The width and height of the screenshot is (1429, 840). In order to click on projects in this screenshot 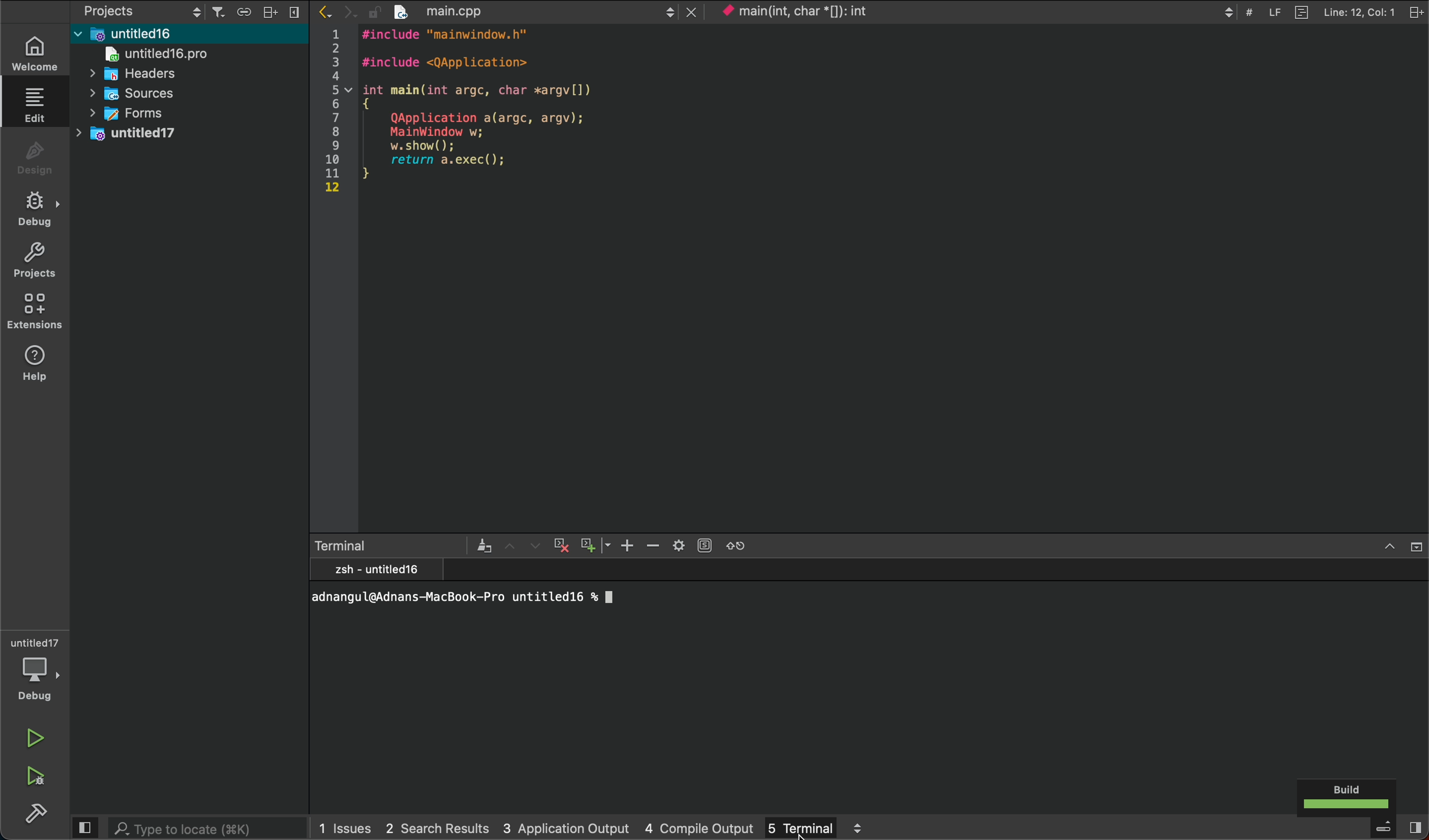, I will do `click(33, 261)`.